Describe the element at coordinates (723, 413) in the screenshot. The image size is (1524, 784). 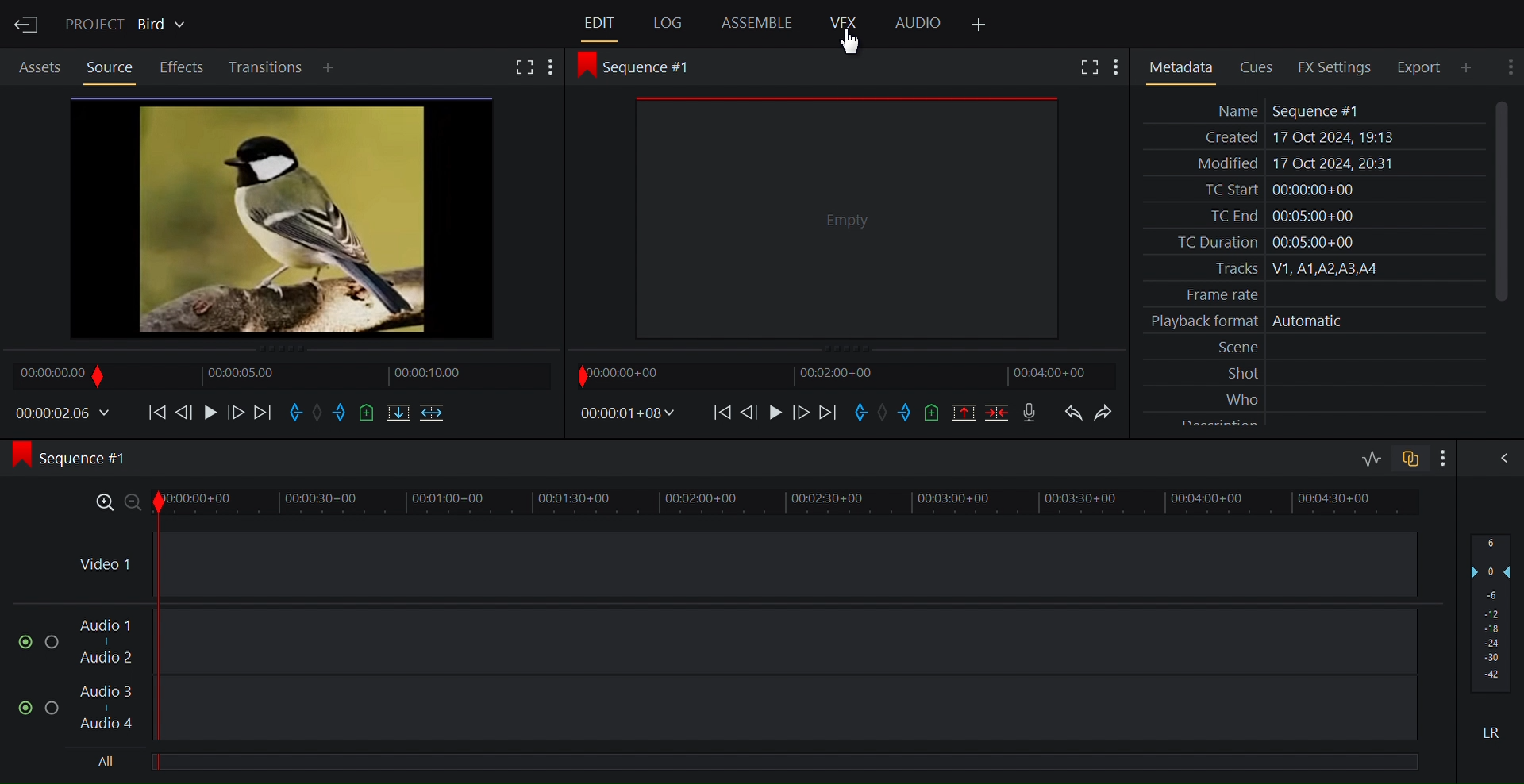
I see `Move Backwards` at that location.